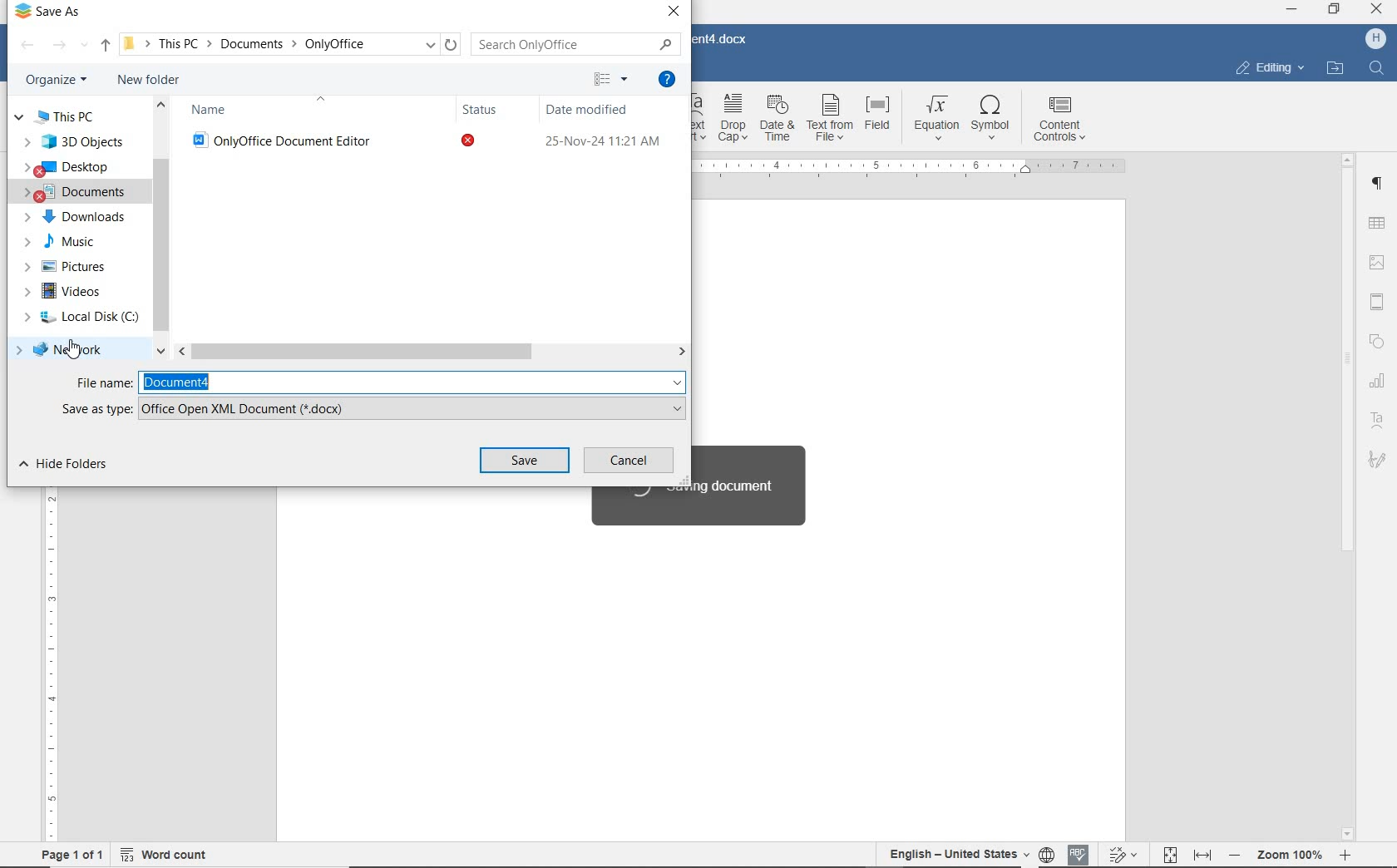  What do you see at coordinates (180, 380) in the screenshot?
I see `Document4` at bounding box center [180, 380].